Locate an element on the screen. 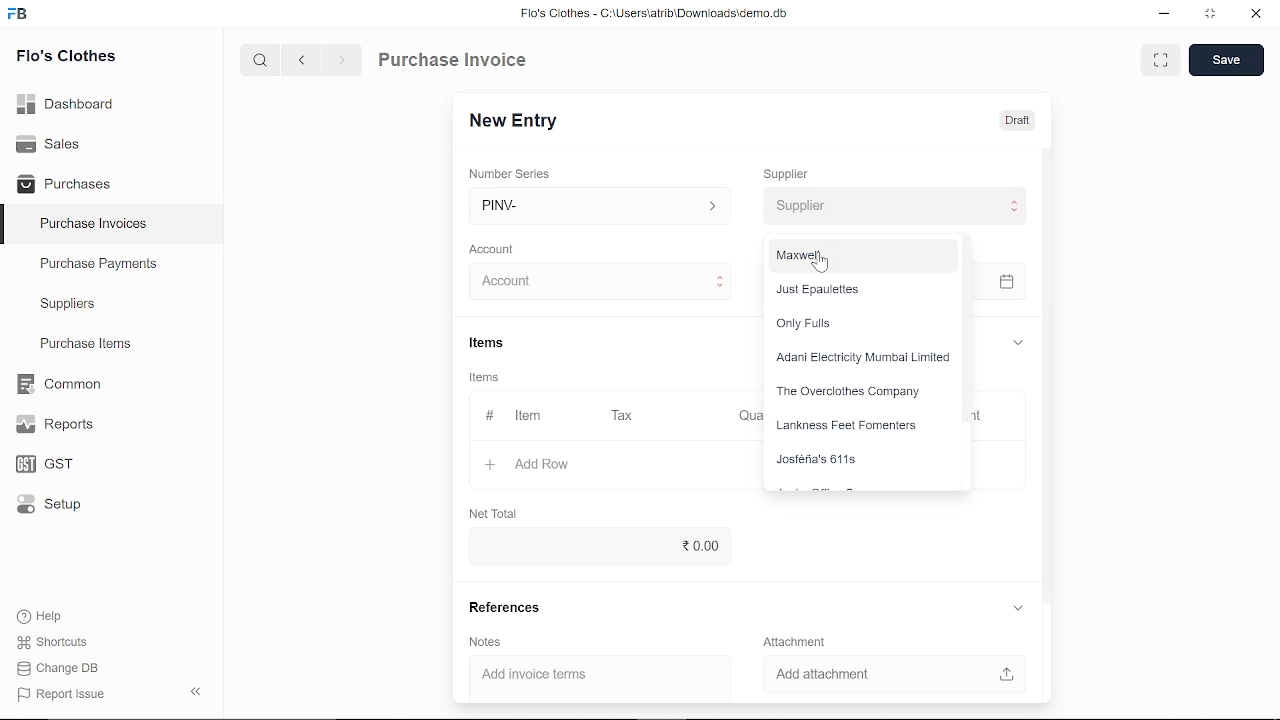 Image resolution: width=1280 pixels, height=720 pixels. Lankness Feet Fomenters is located at coordinates (854, 428).